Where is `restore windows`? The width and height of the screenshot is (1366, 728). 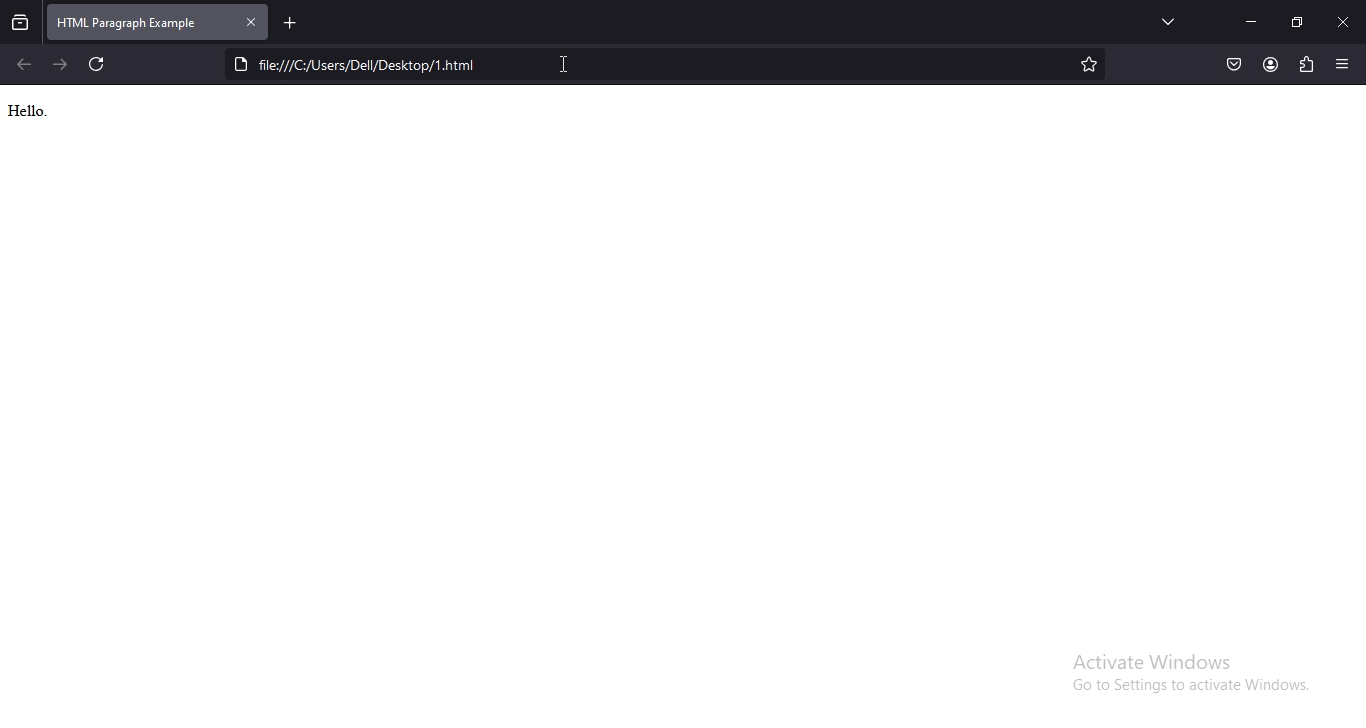 restore windows is located at coordinates (1298, 20).